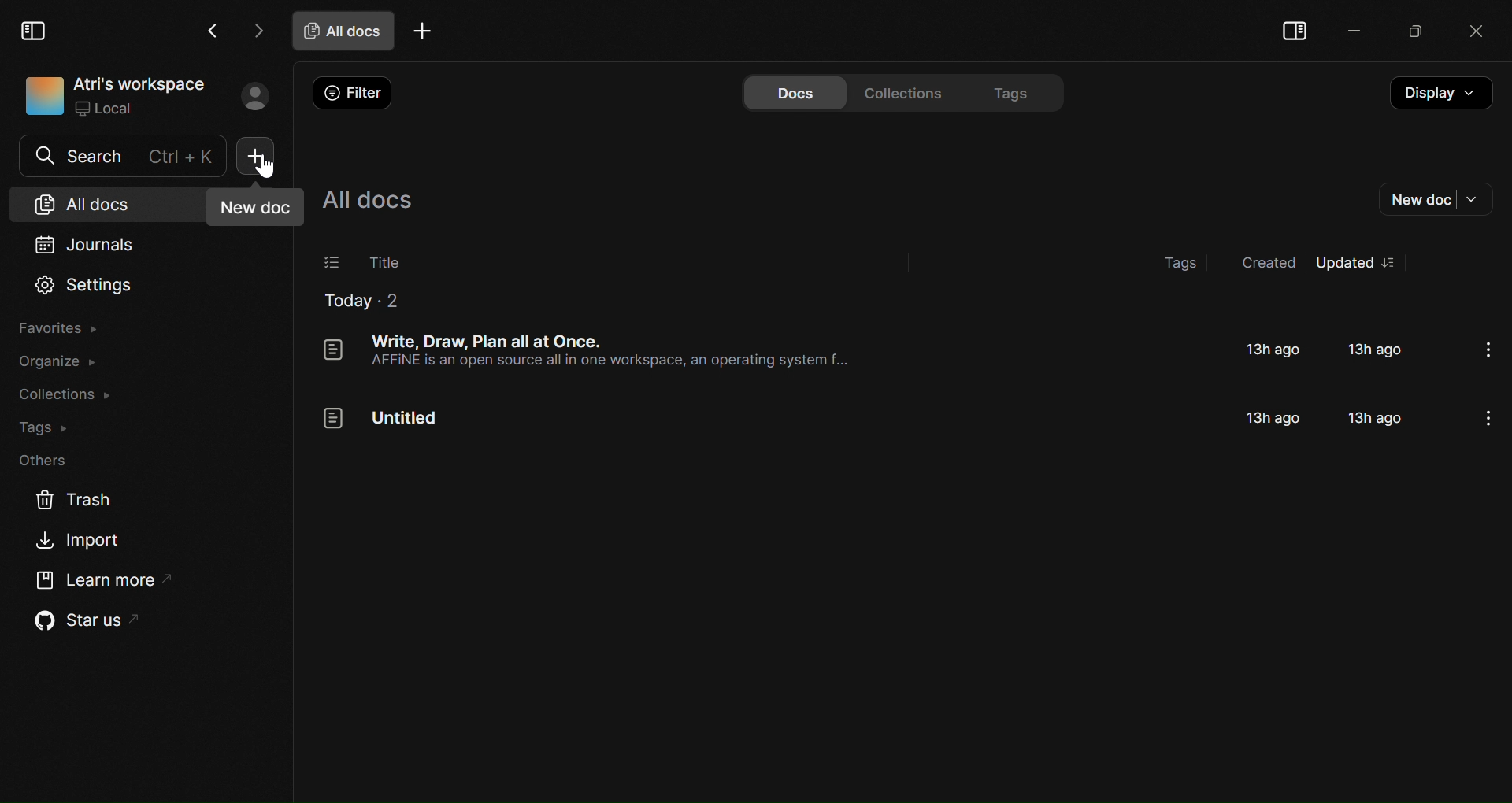 This screenshot has width=1512, height=803. Describe the element at coordinates (1395, 263) in the screenshot. I see `options` at that location.